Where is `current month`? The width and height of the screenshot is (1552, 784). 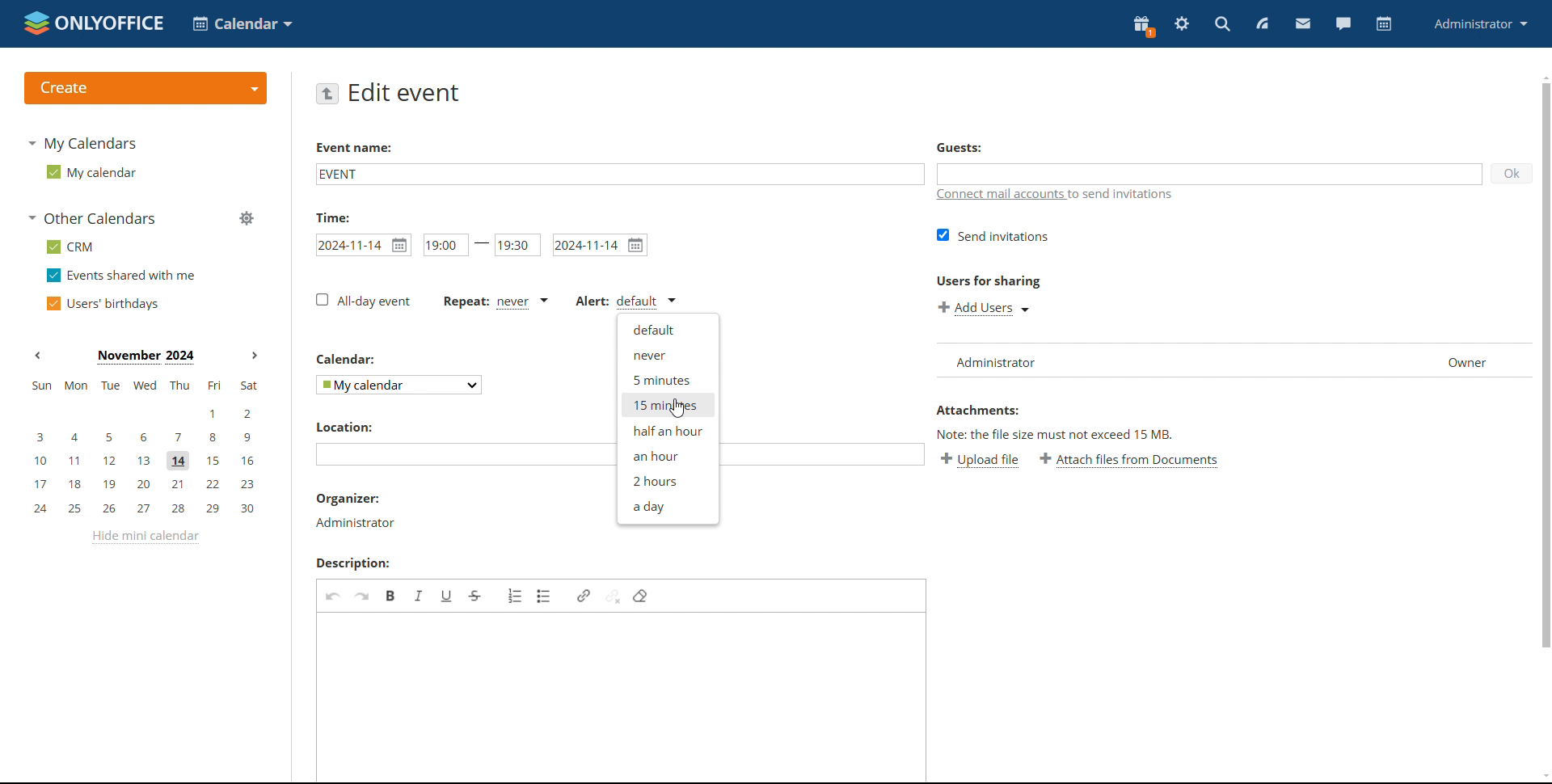 current month is located at coordinates (145, 358).